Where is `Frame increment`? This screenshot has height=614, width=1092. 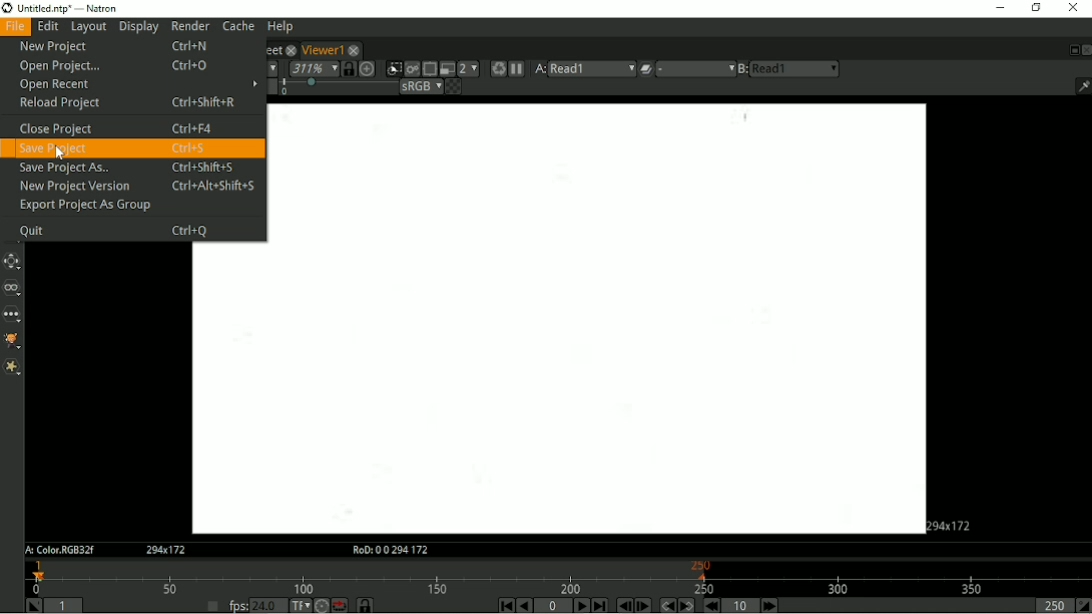 Frame increment is located at coordinates (741, 606).